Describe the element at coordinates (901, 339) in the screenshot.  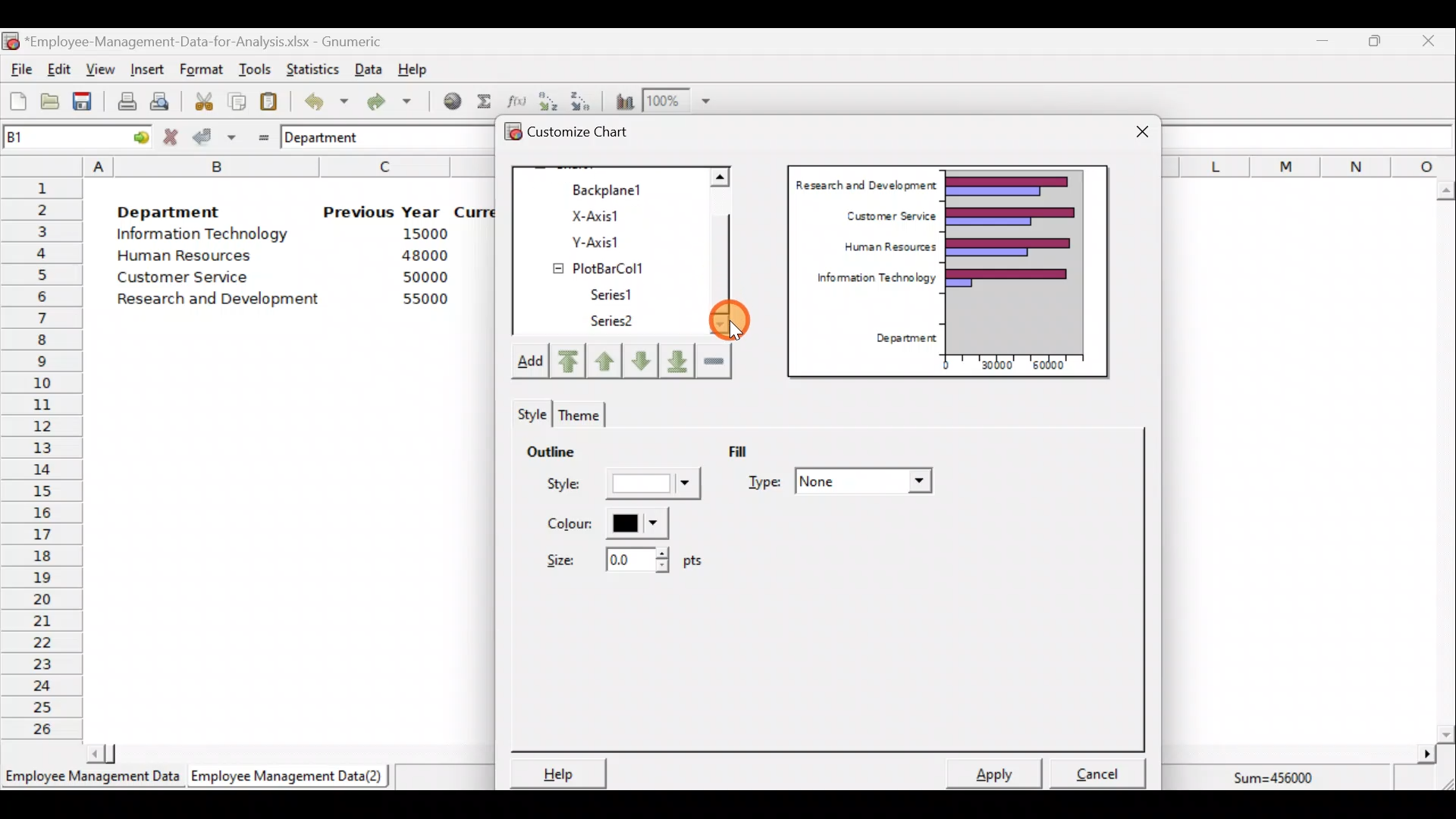
I see `Department` at that location.